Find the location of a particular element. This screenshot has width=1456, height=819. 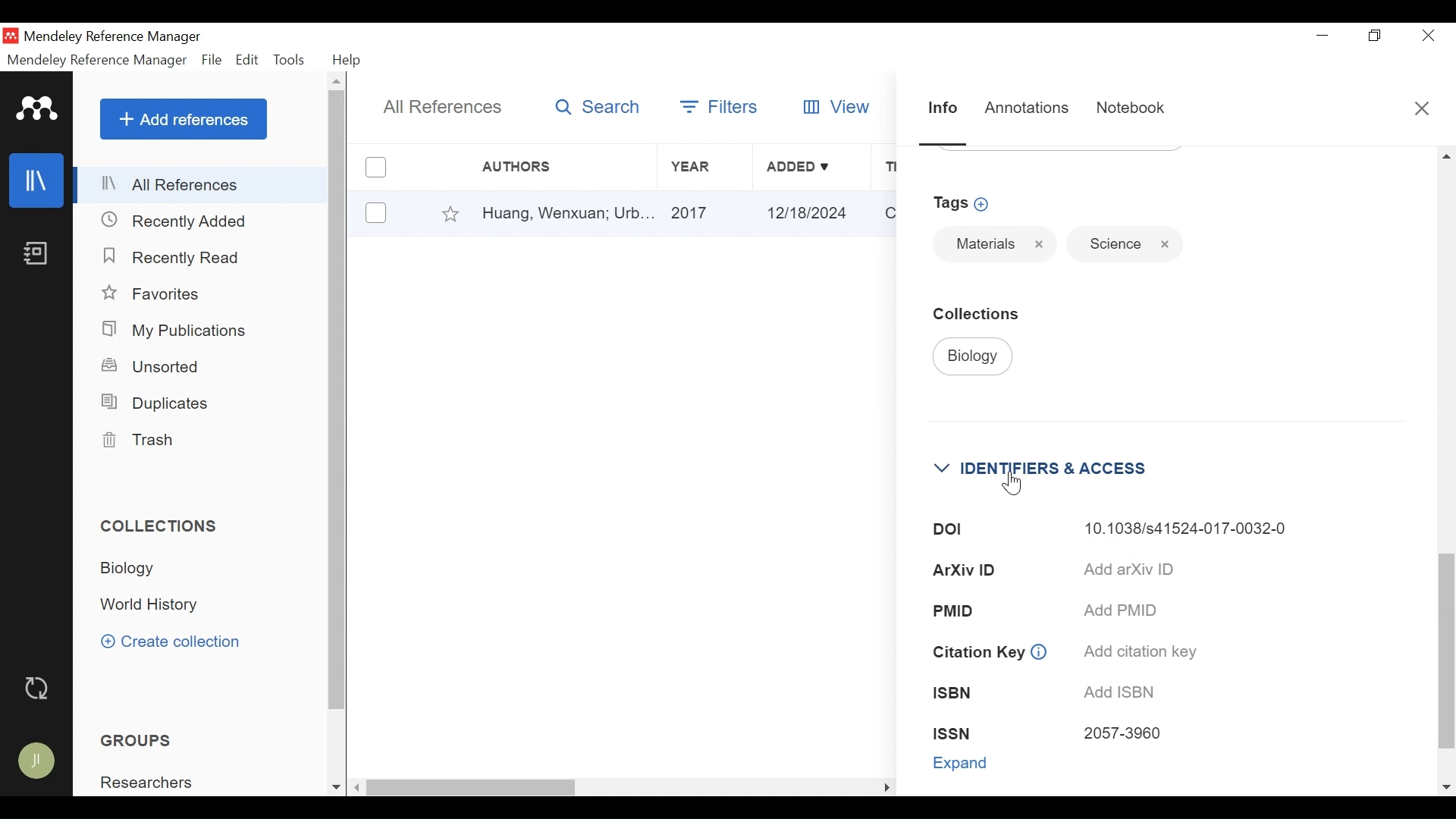

info icon is located at coordinates (1039, 653).